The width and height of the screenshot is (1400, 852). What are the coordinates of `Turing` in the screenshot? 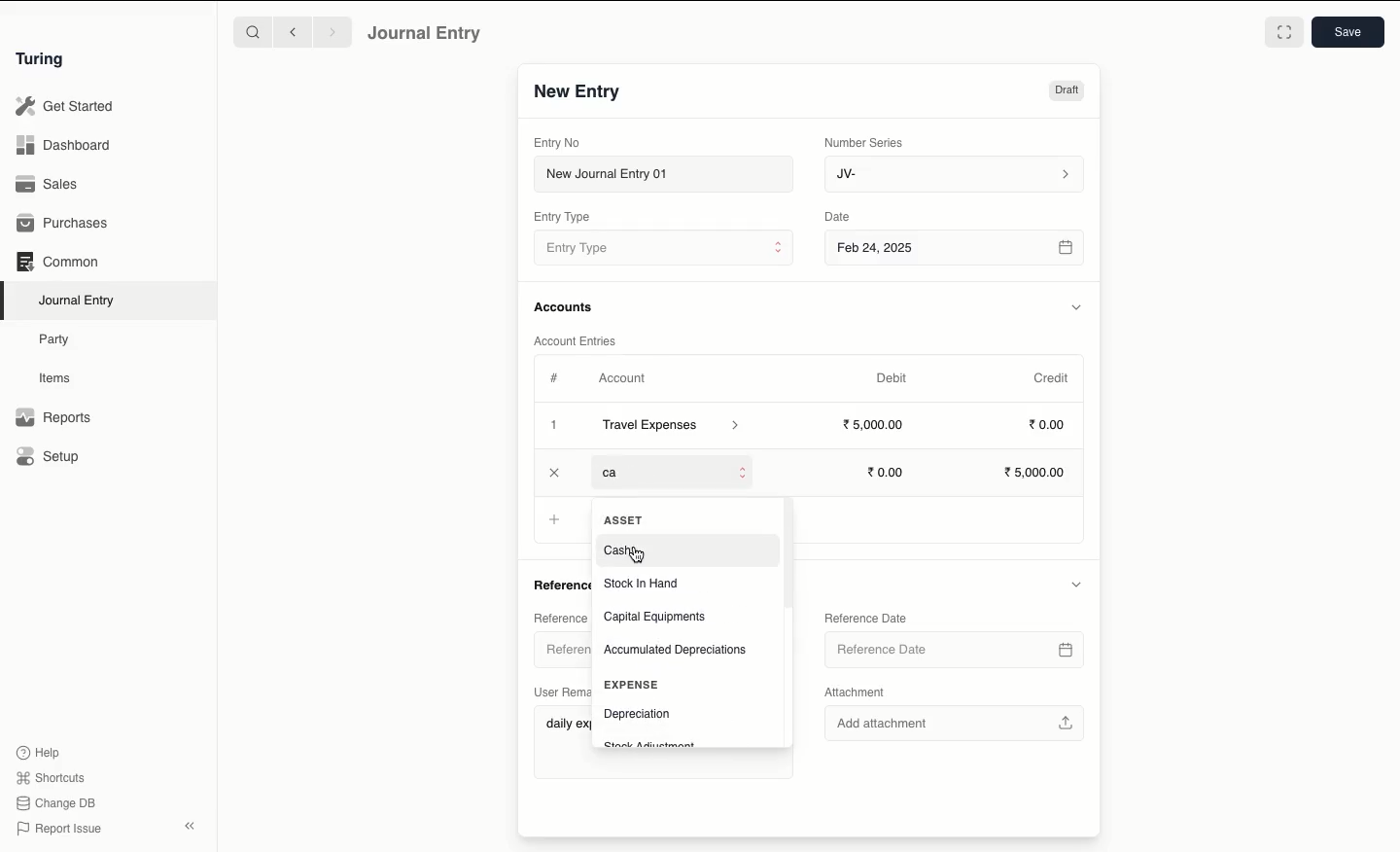 It's located at (44, 60).